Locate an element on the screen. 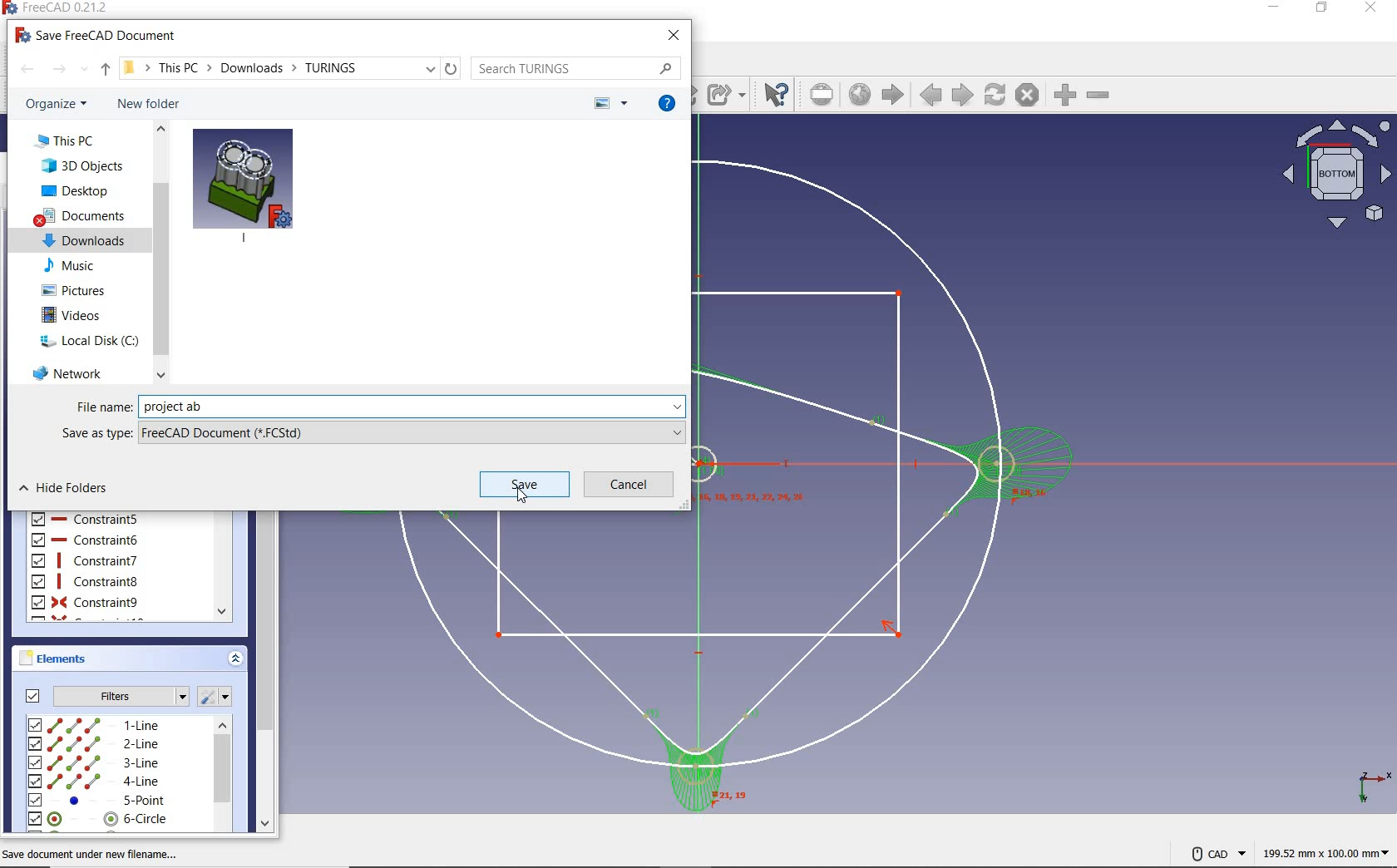 The image size is (1397, 868). save freeCAD document is located at coordinates (96, 34).